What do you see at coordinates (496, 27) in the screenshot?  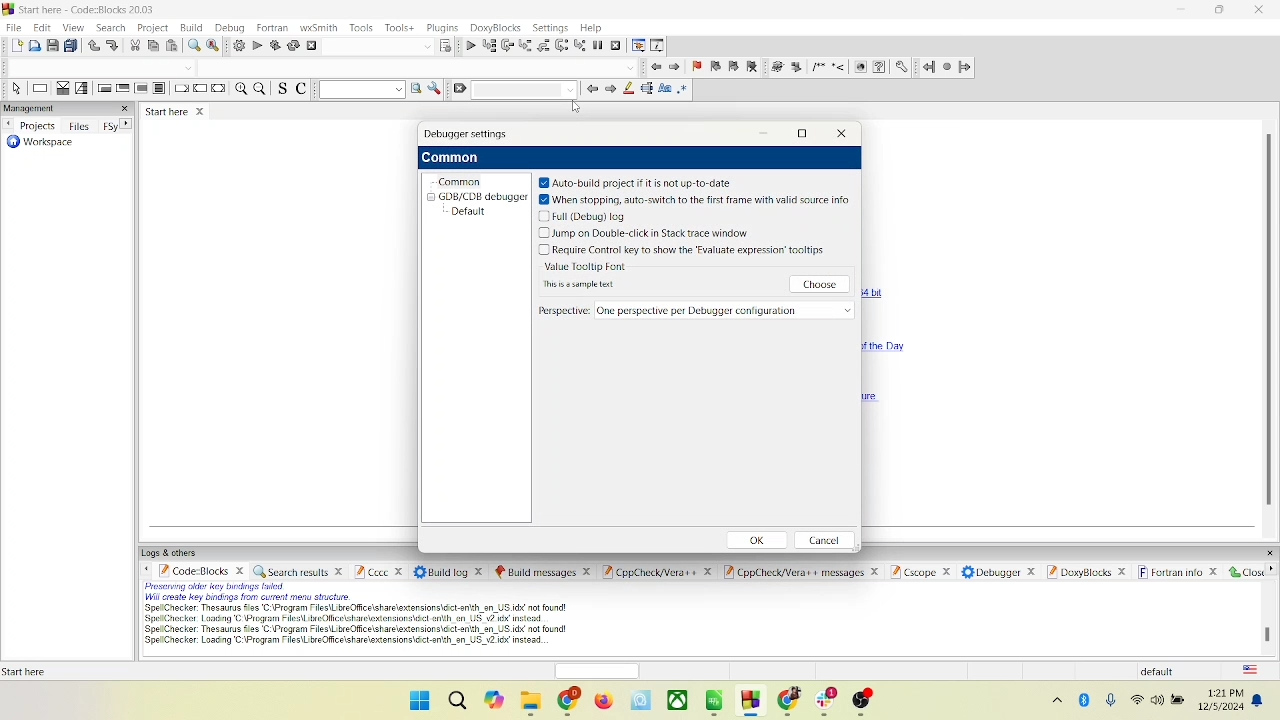 I see `doxyblocks` at bounding box center [496, 27].